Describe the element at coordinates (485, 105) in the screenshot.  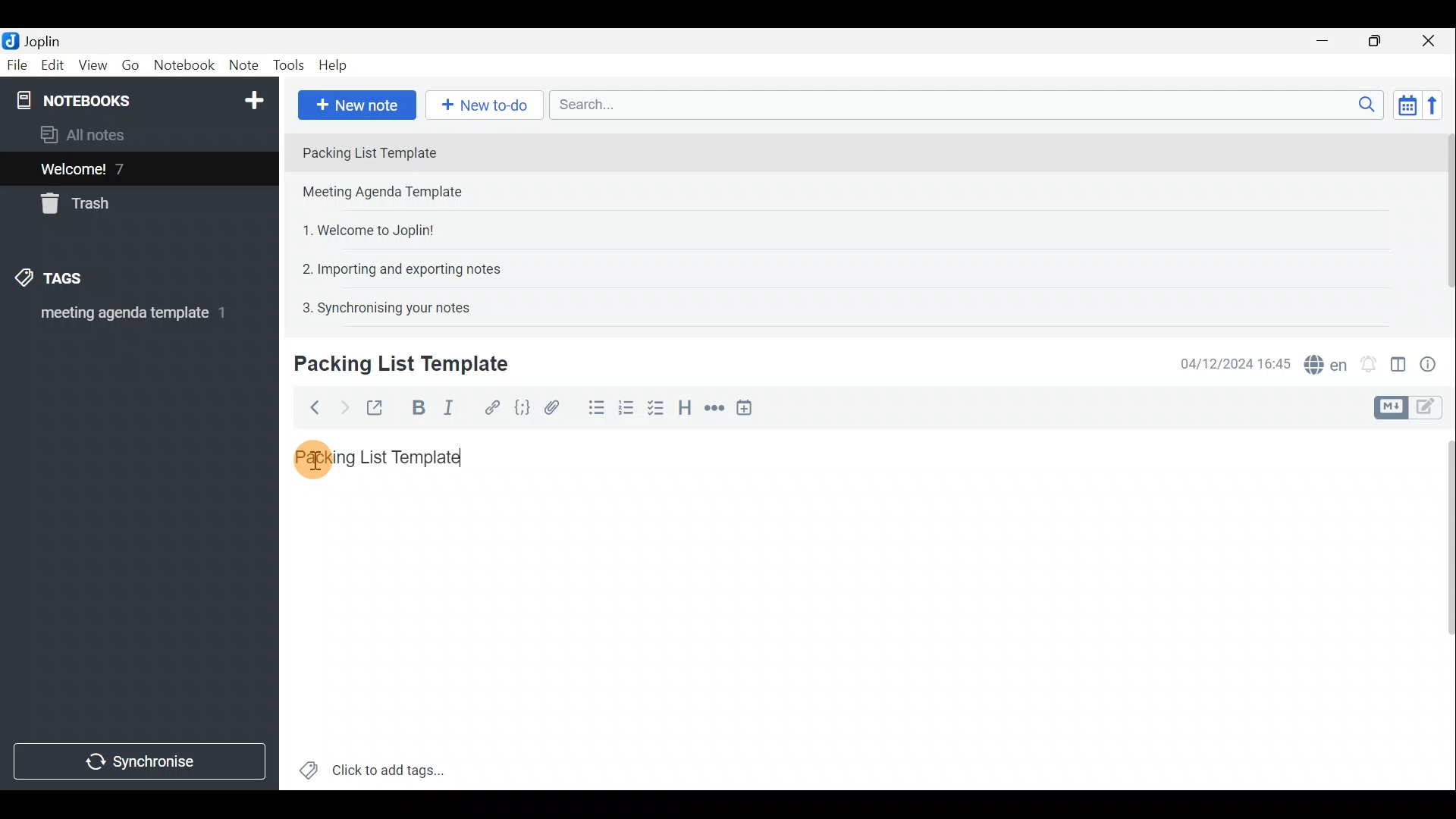
I see `New to-do` at that location.